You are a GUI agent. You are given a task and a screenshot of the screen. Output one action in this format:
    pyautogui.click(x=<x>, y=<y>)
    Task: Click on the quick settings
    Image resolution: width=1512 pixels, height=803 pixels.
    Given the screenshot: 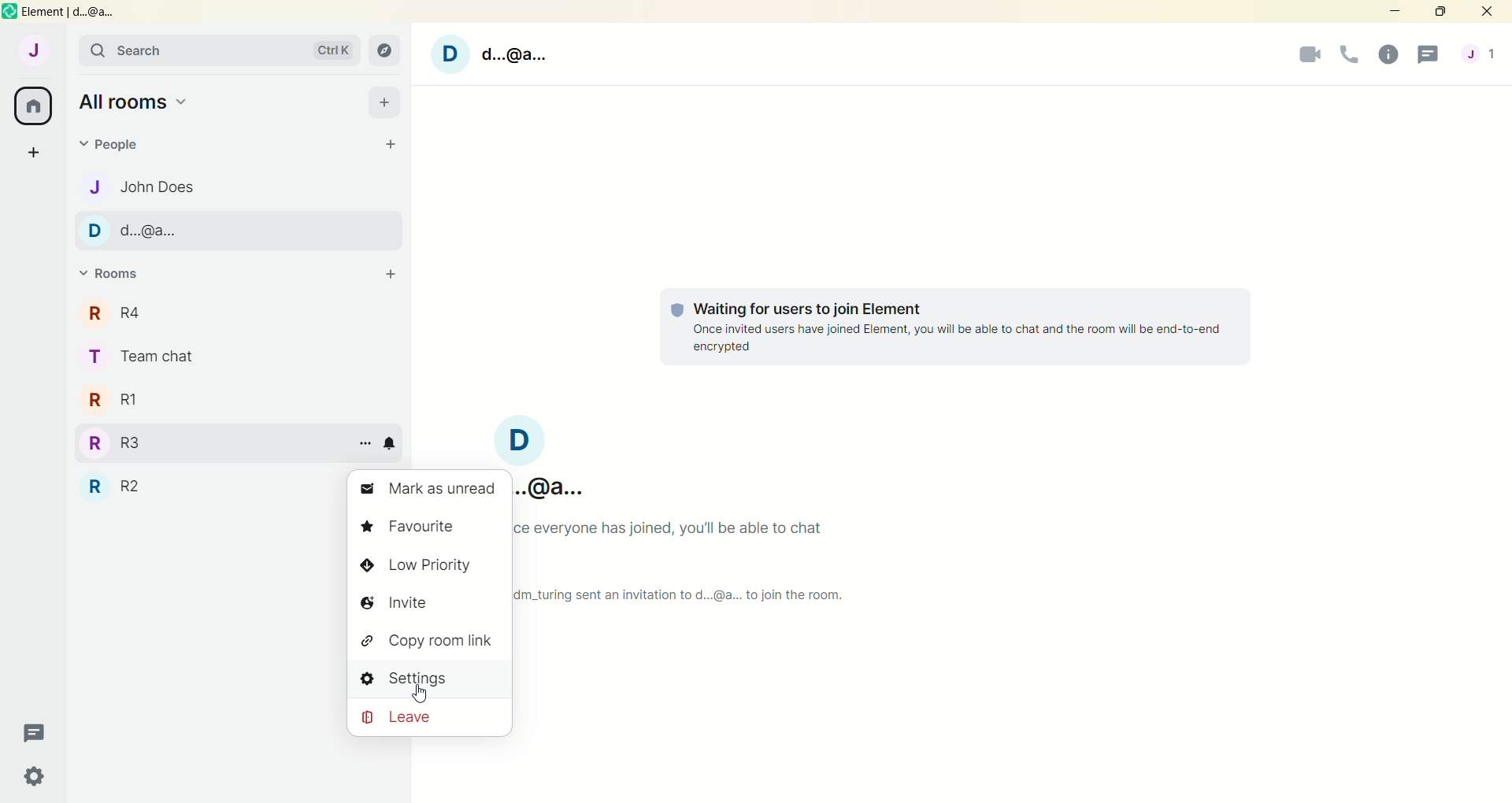 What is the action you would take?
    pyautogui.click(x=39, y=778)
    